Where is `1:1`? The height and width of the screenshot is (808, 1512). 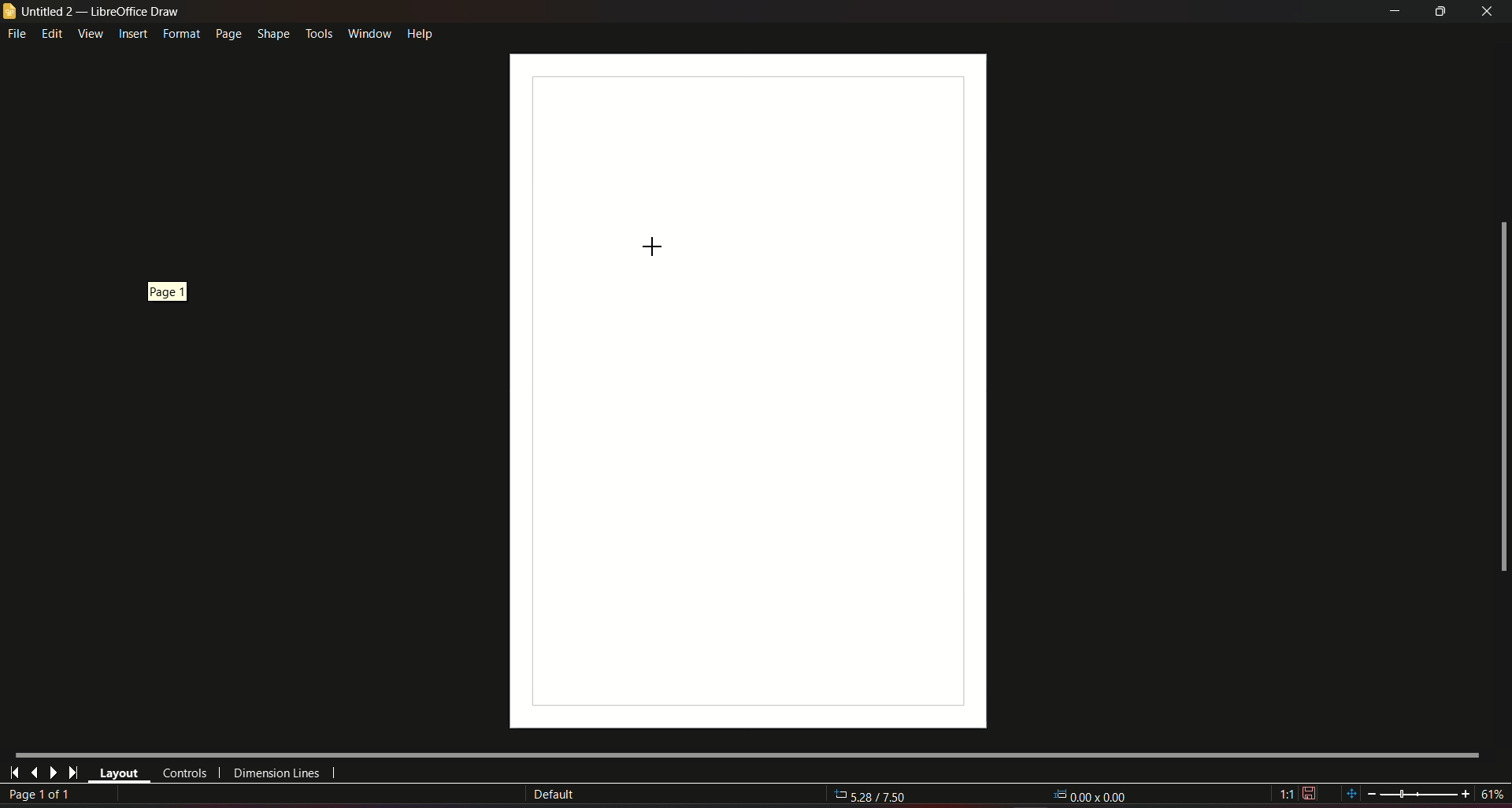 1:1 is located at coordinates (1298, 794).